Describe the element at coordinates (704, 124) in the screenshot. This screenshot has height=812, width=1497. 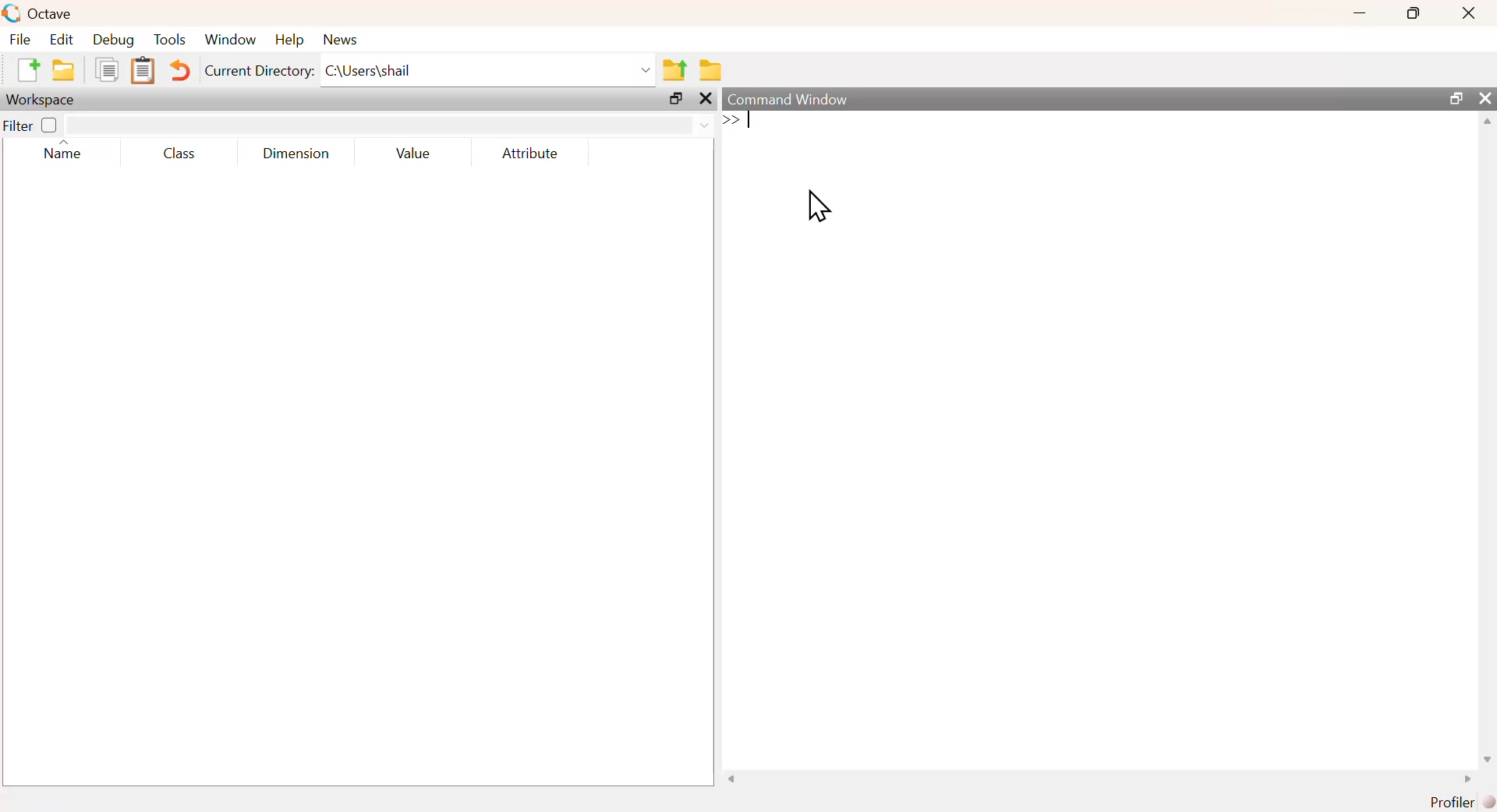
I see `dropdown` at that location.